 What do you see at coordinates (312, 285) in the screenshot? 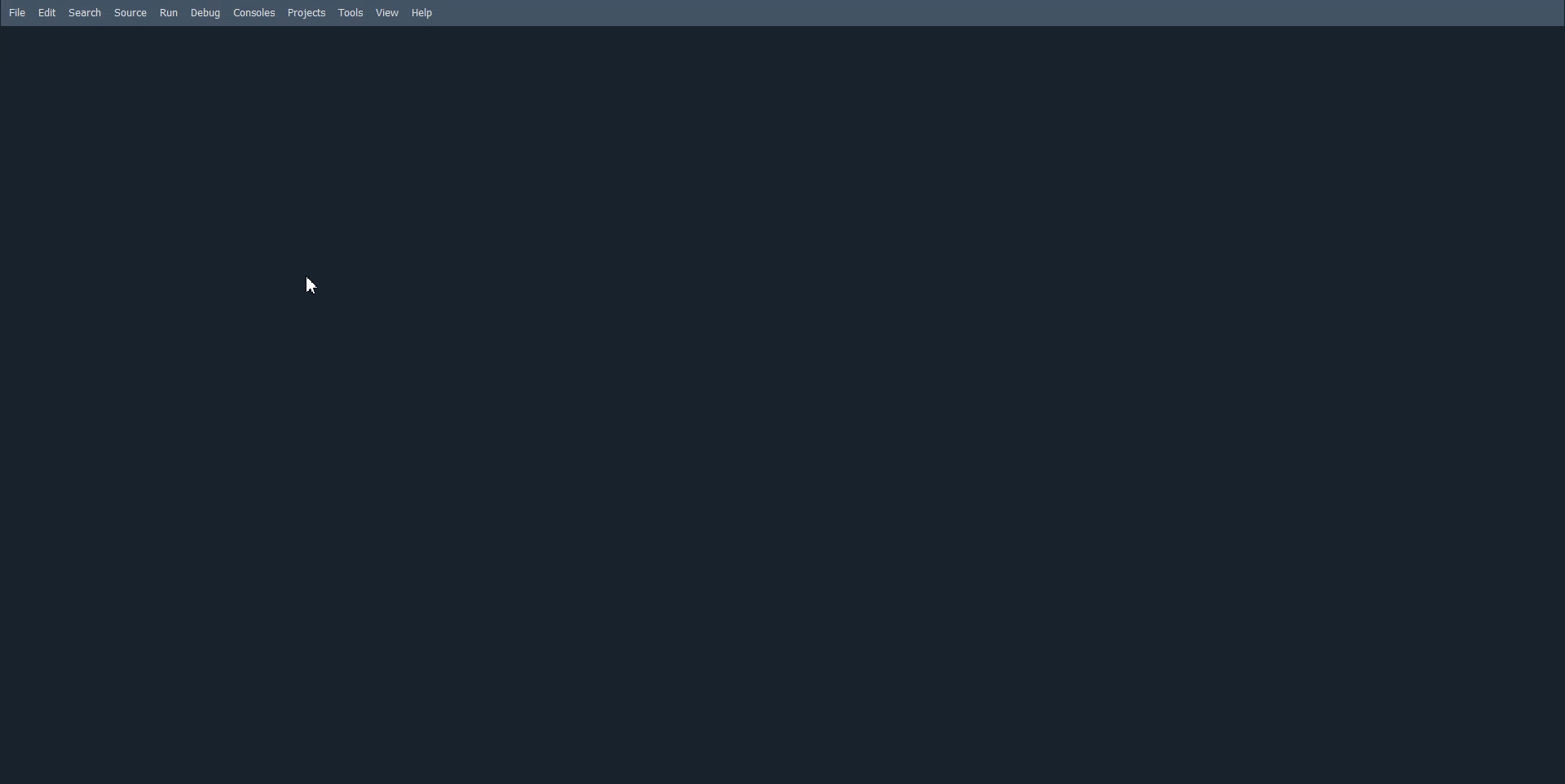
I see `Cursor` at bounding box center [312, 285].